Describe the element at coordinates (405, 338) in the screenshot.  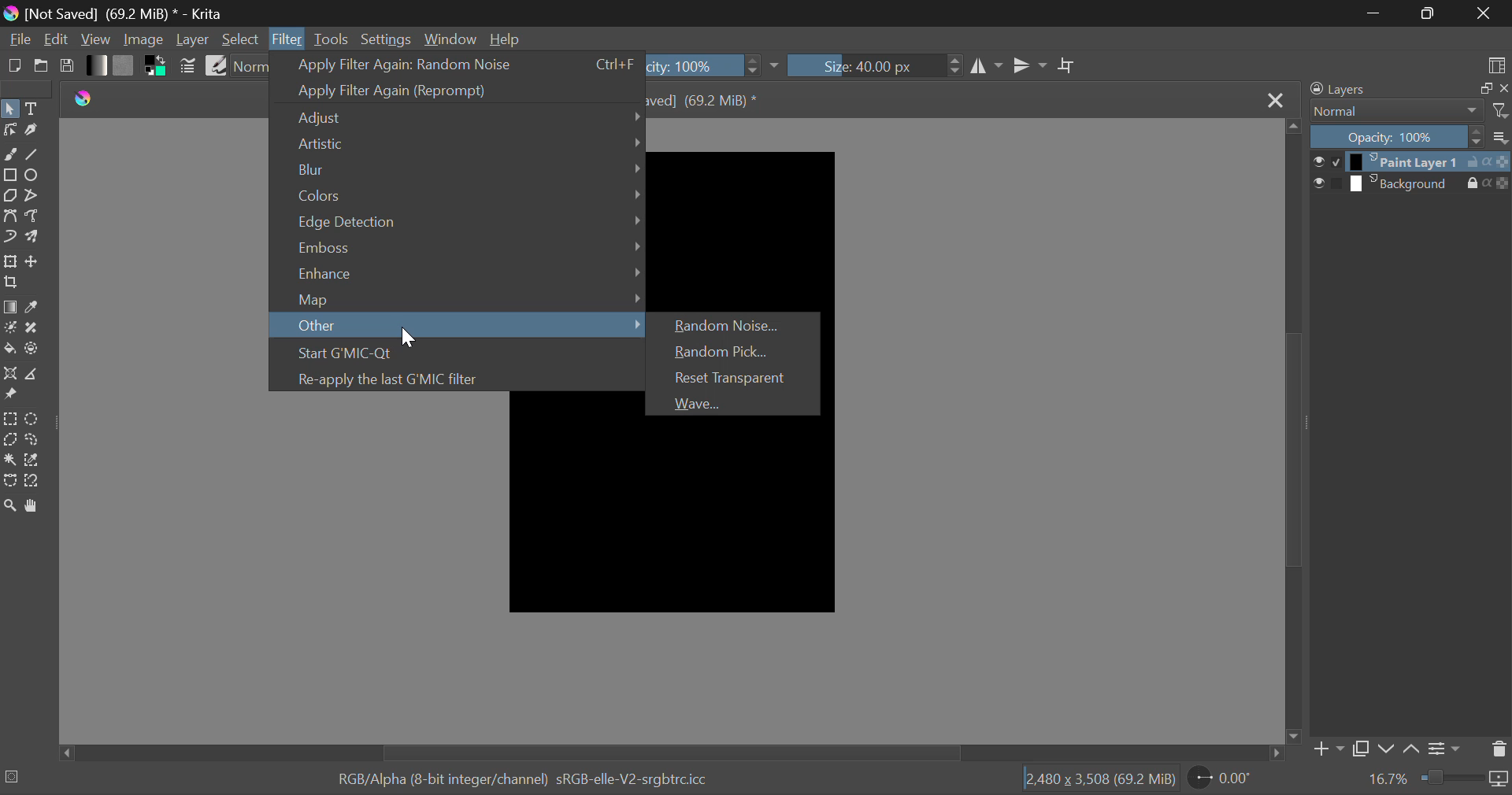
I see `Cursor Position` at that location.